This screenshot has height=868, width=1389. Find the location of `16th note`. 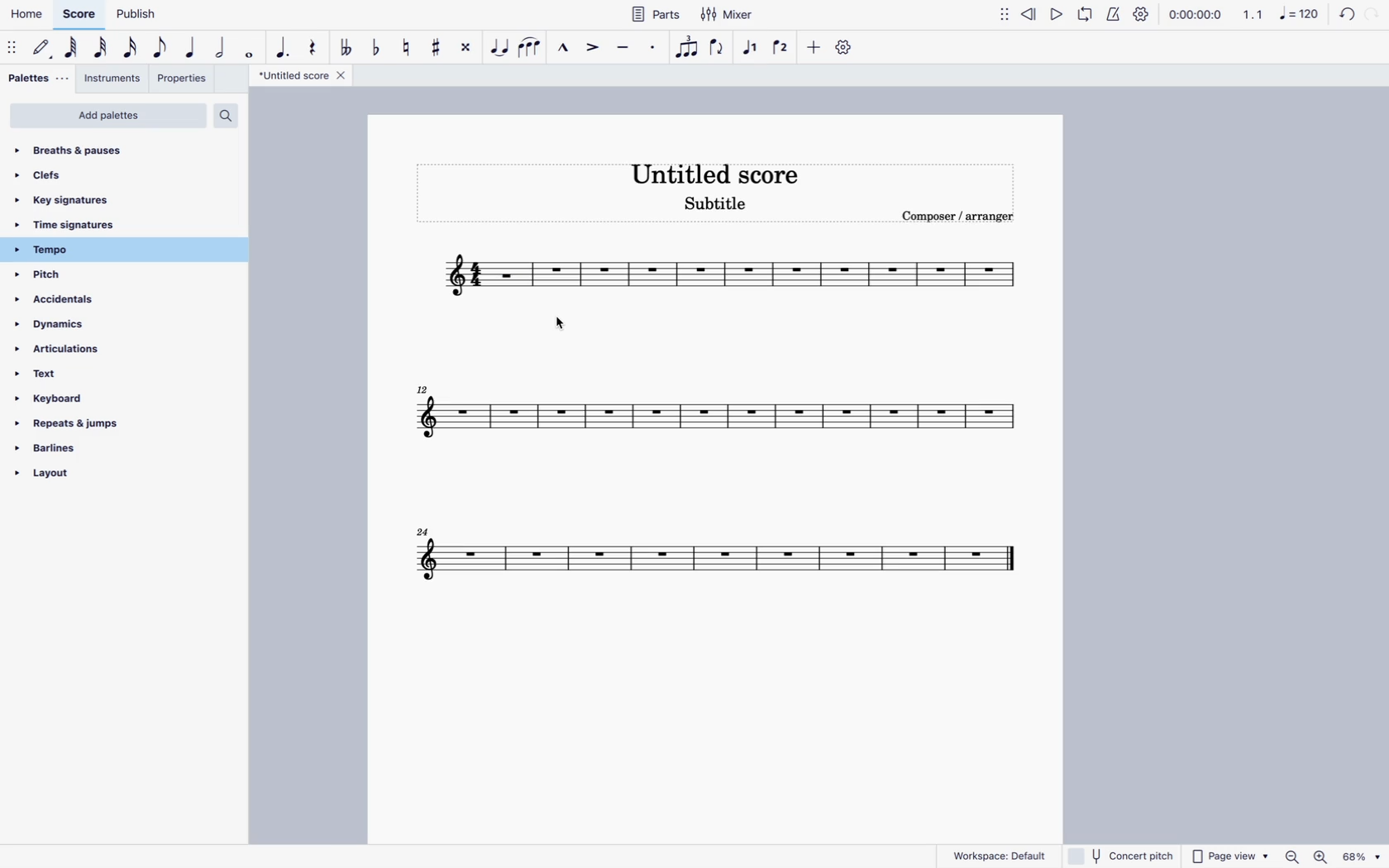

16th note is located at coordinates (130, 46).